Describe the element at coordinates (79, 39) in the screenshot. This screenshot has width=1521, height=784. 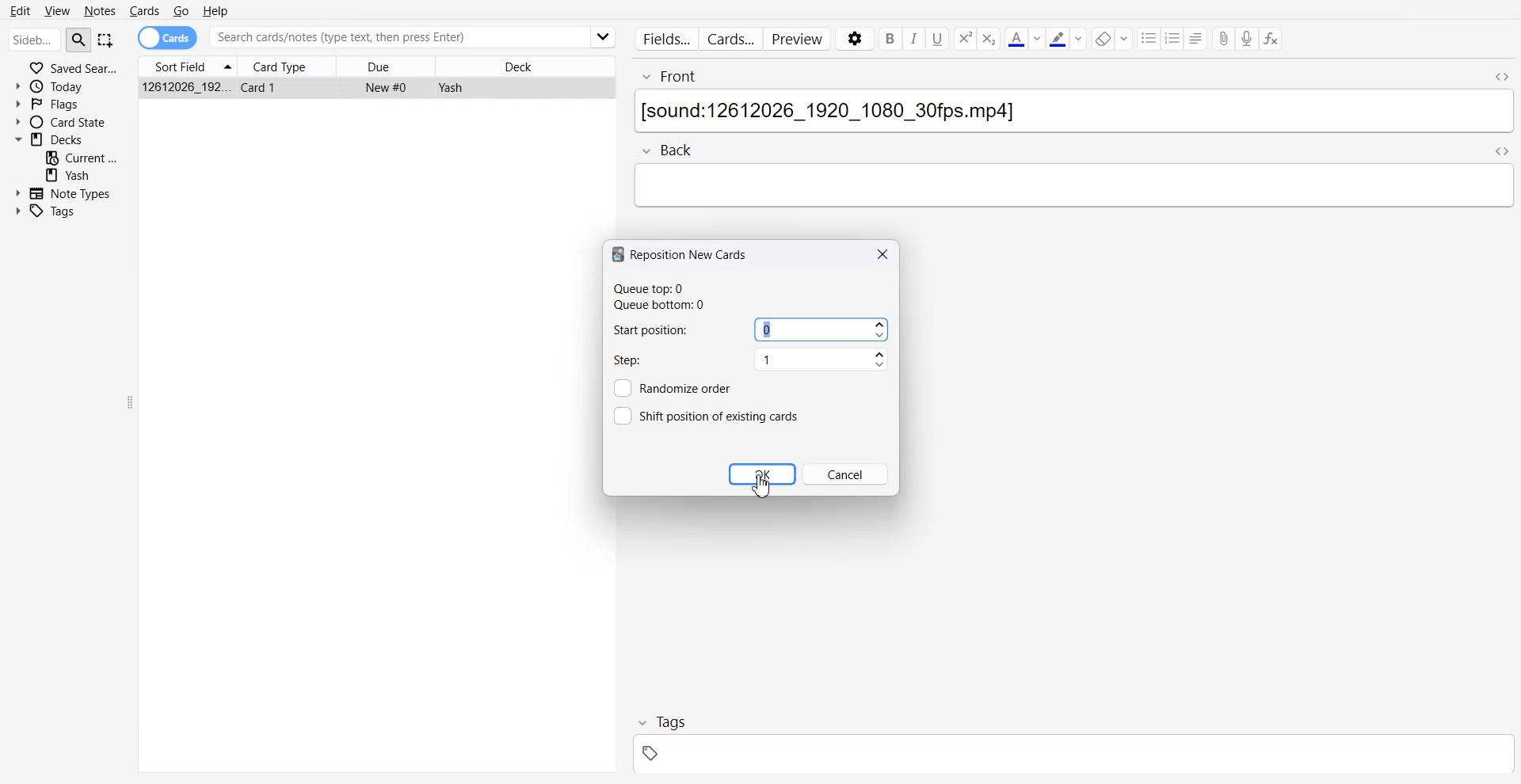
I see `Search` at that location.